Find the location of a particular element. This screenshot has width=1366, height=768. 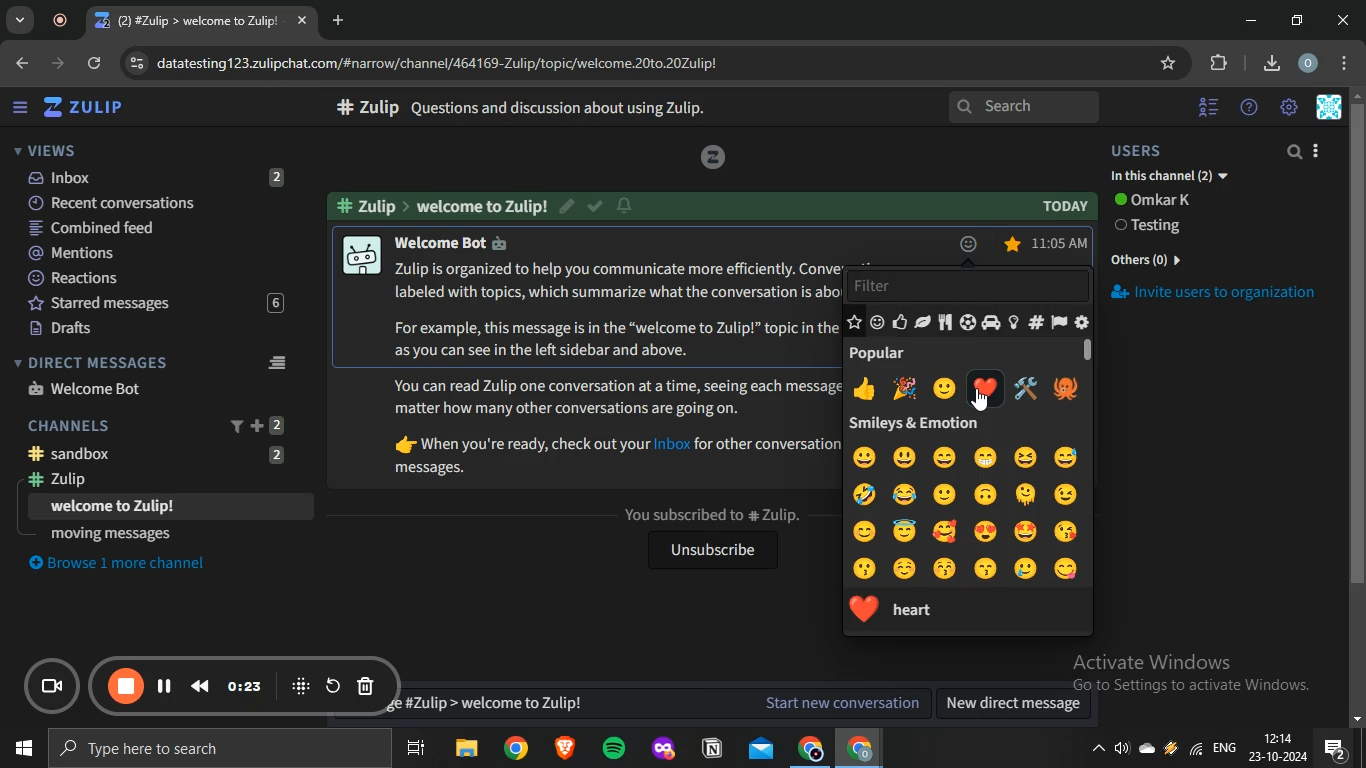

edit is located at coordinates (569, 204).